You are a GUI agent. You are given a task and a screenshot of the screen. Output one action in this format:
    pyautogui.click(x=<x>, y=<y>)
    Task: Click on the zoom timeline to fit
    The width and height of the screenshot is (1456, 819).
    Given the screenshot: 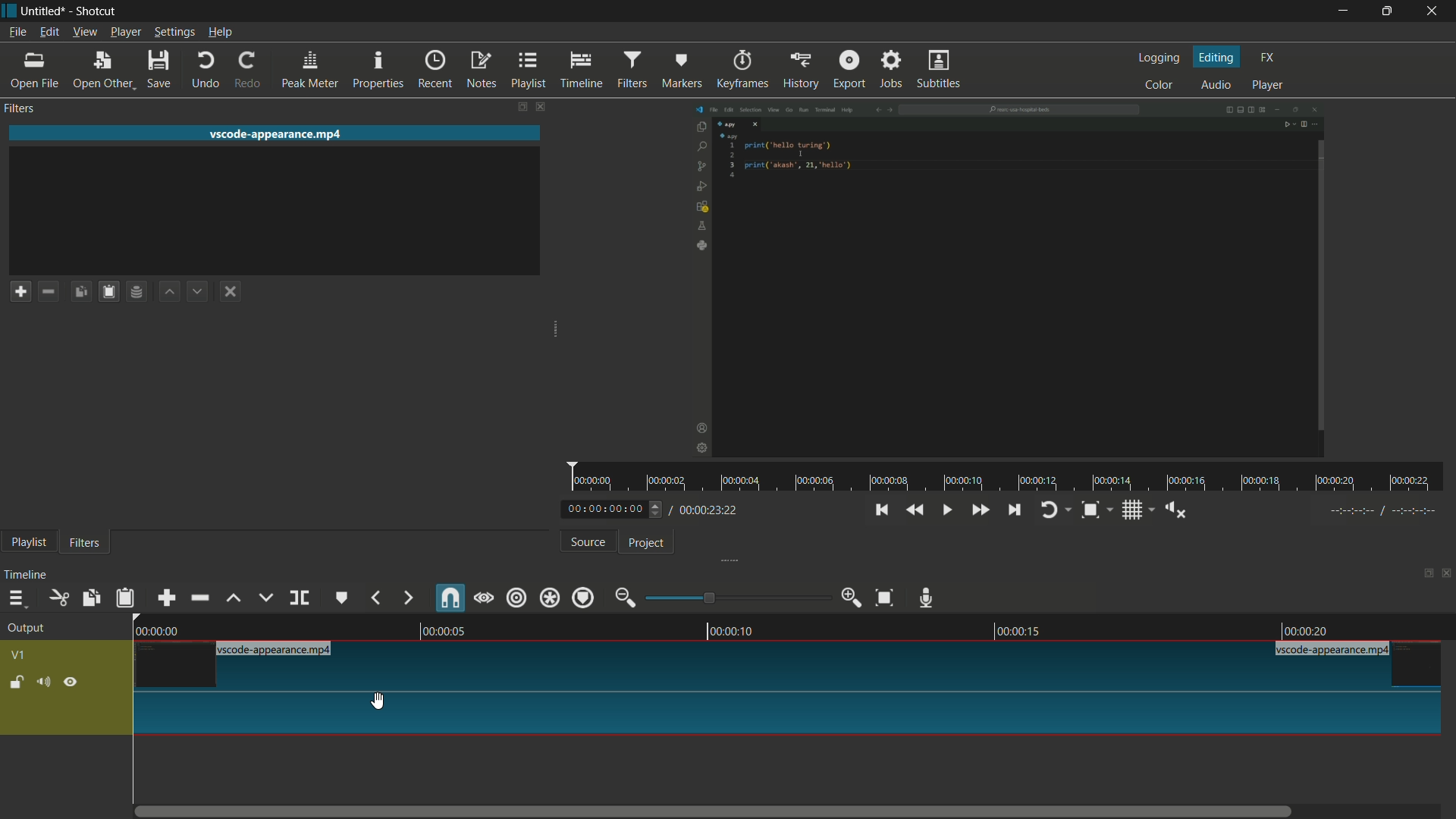 What is the action you would take?
    pyautogui.click(x=884, y=599)
    